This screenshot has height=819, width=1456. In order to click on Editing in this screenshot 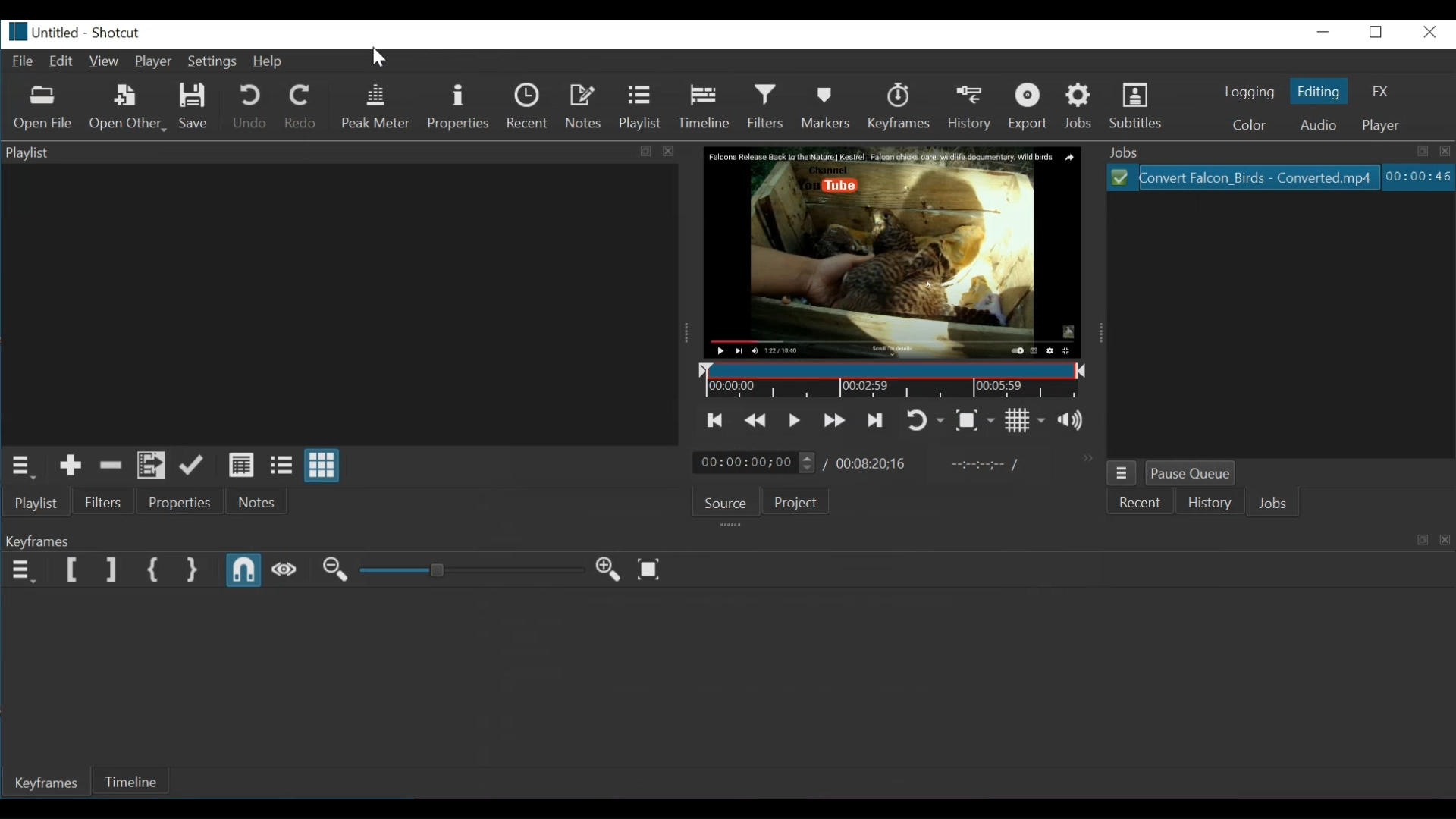, I will do `click(1316, 91)`.